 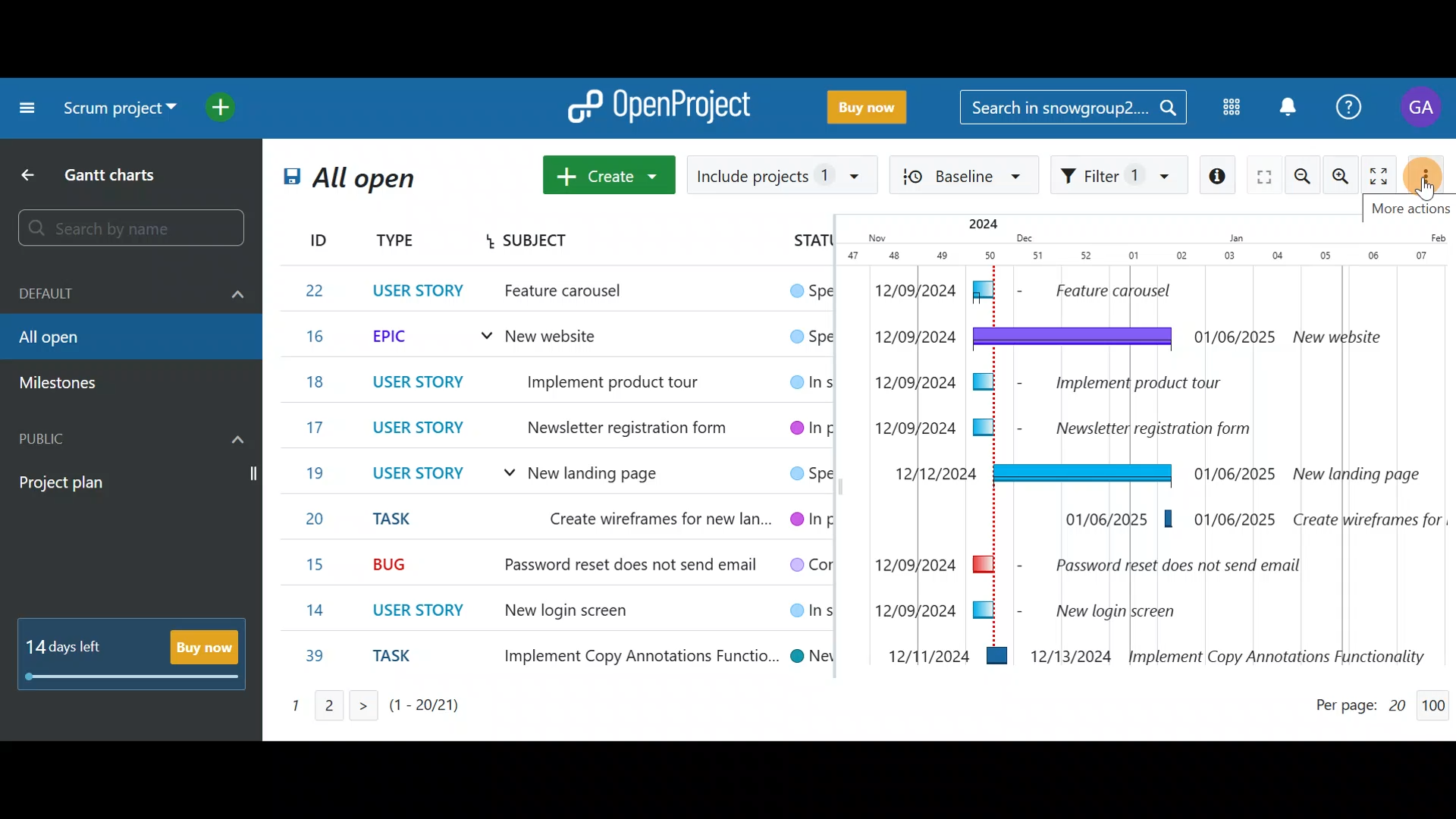 What do you see at coordinates (965, 177) in the screenshot?
I see `Filter baseline` at bounding box center [965, 177].